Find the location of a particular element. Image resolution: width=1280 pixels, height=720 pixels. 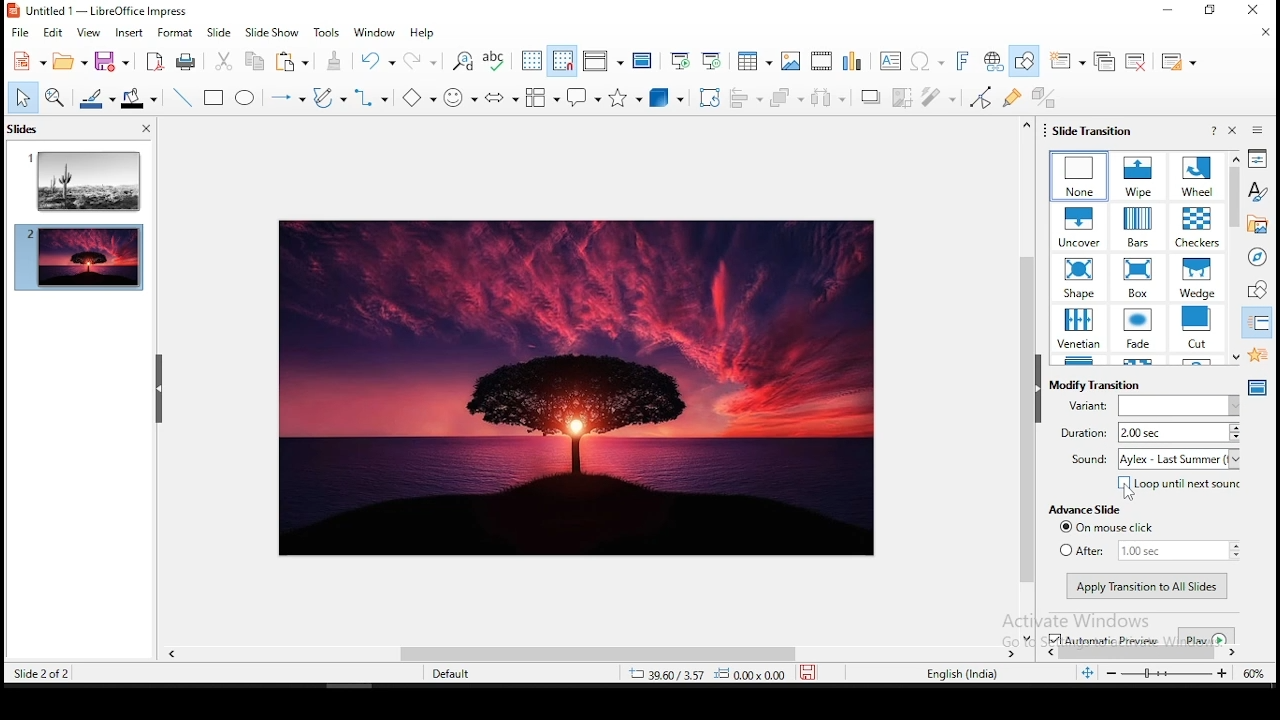

start from current slide is located at coordinates (712, 60).